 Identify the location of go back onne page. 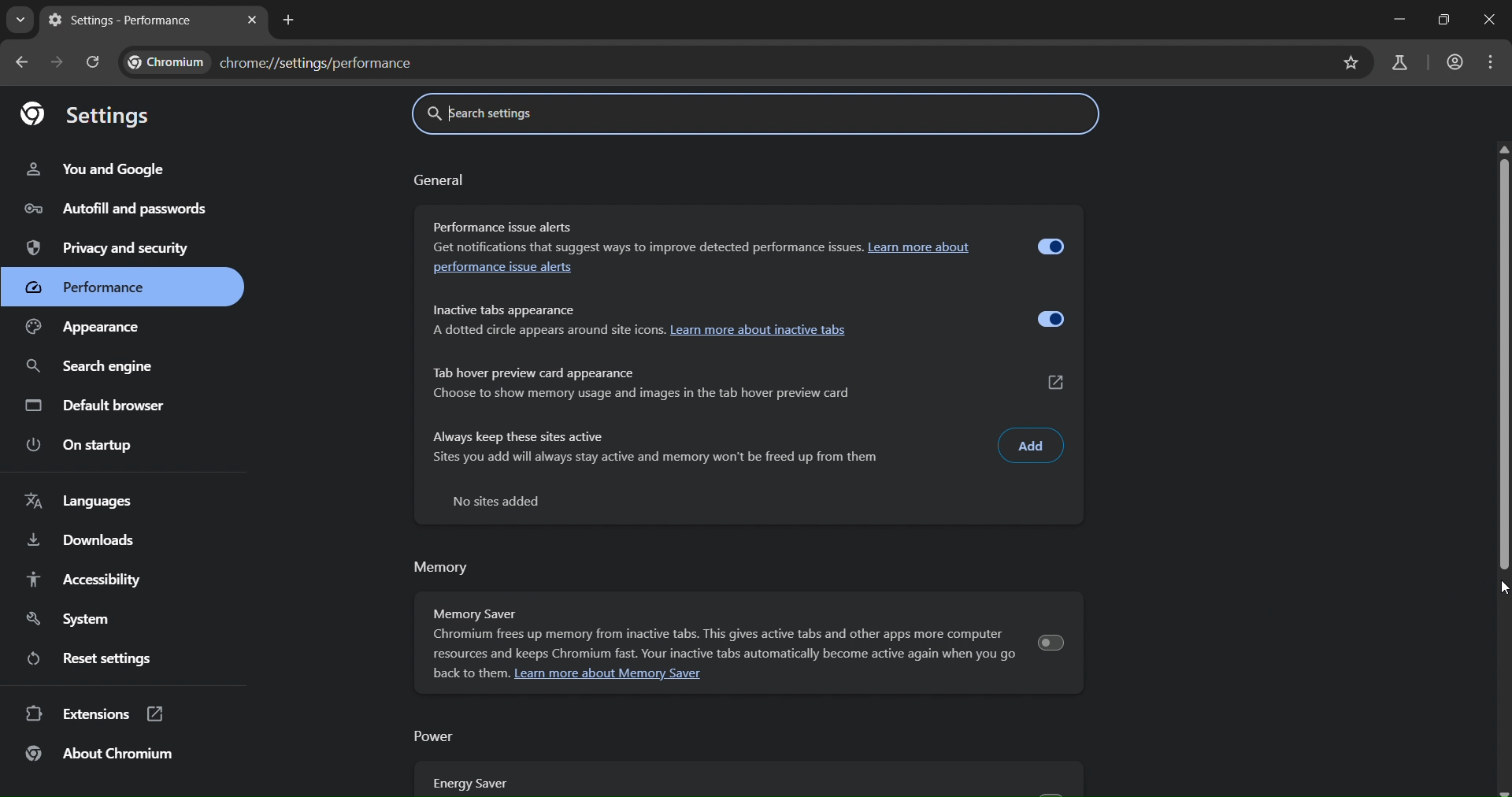
(20, 61).